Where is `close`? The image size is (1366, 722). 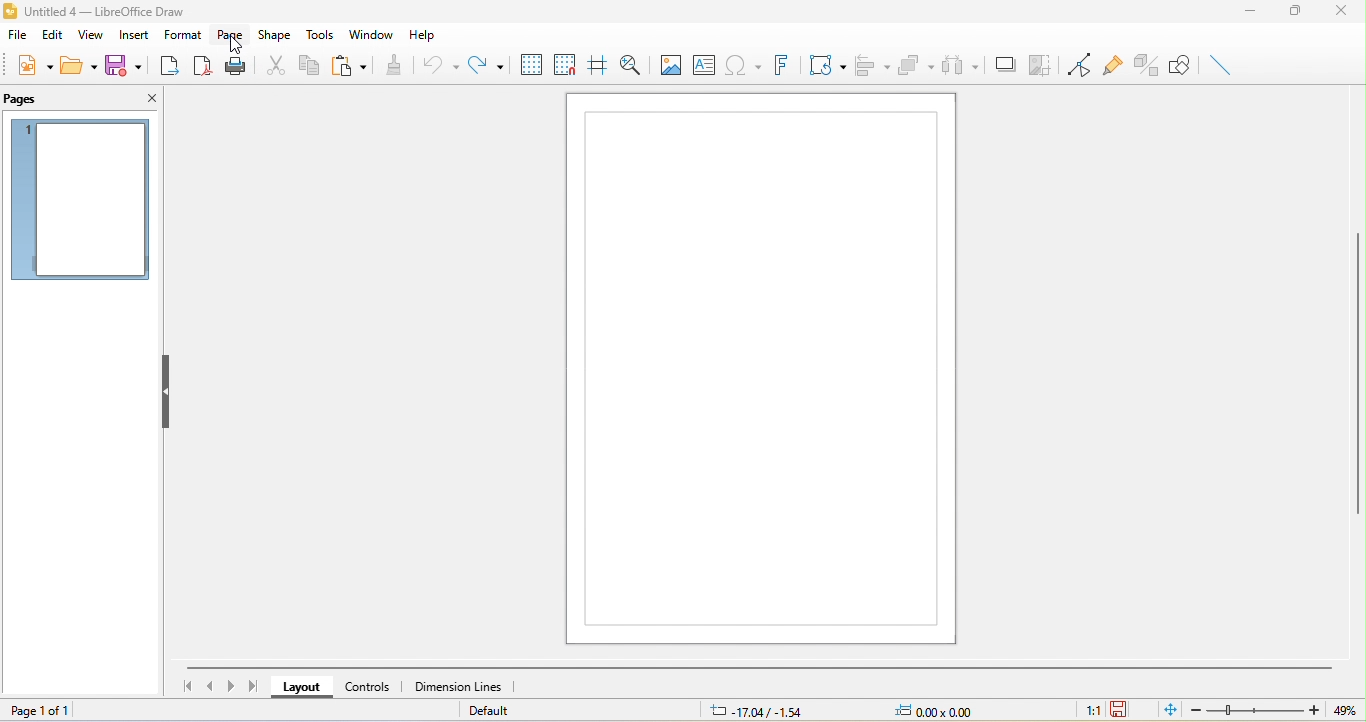 close is located at coordinates (149, 100).